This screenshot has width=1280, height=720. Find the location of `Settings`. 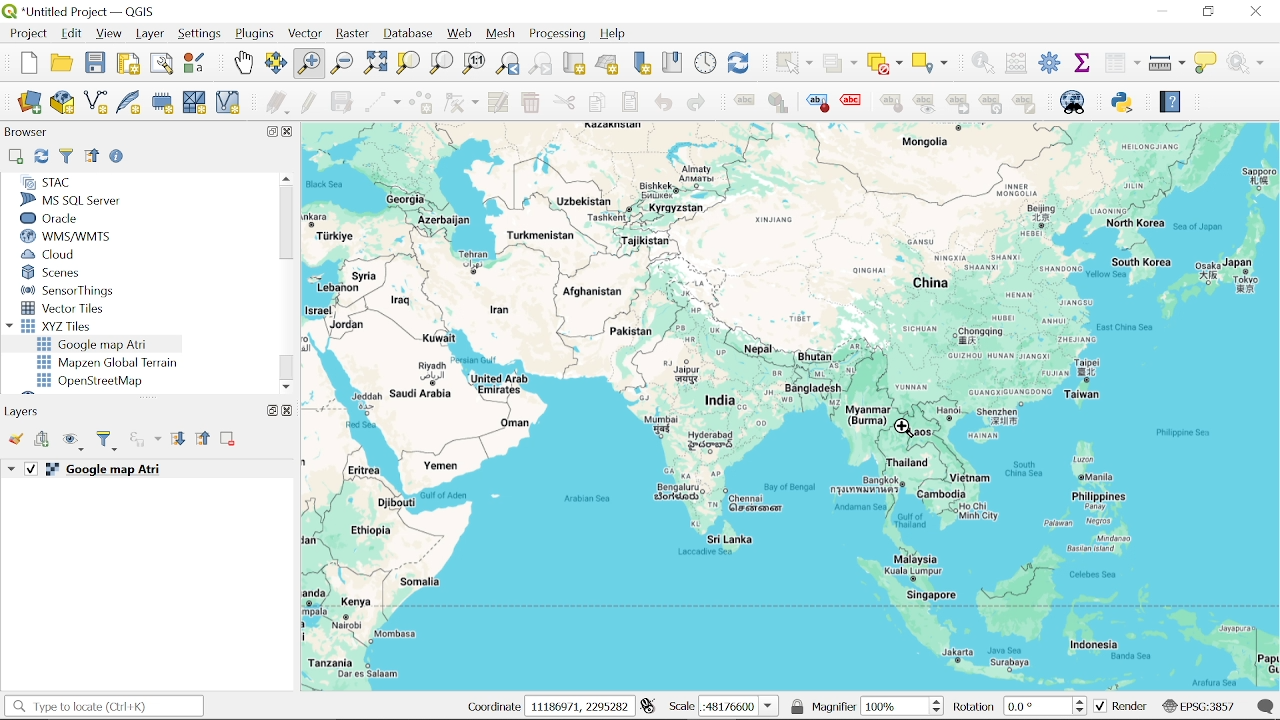

Settings is located at coordinates (1050, 64).